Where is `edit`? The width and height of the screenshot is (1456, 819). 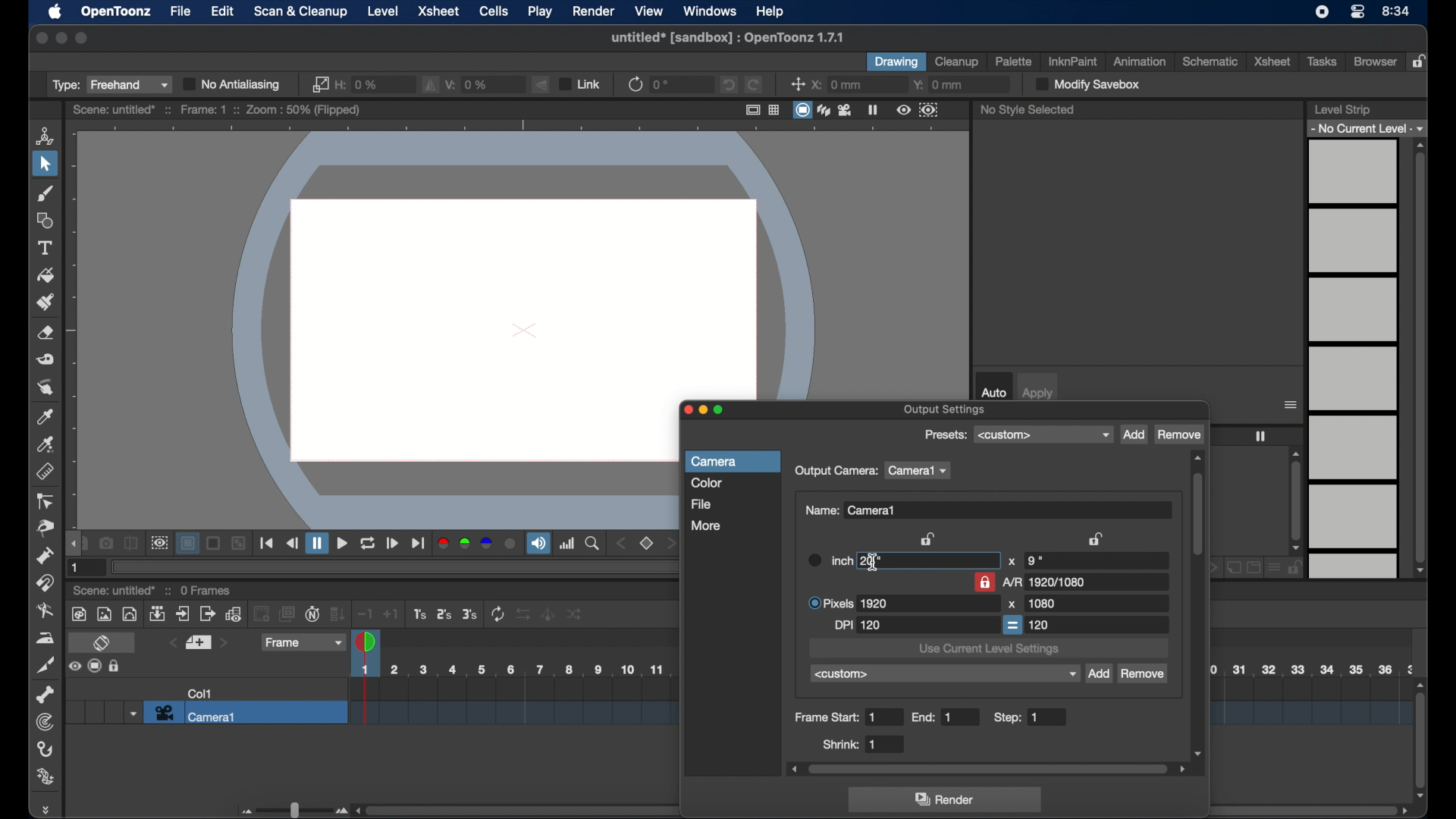
edit is located at coordinates (223, 12).